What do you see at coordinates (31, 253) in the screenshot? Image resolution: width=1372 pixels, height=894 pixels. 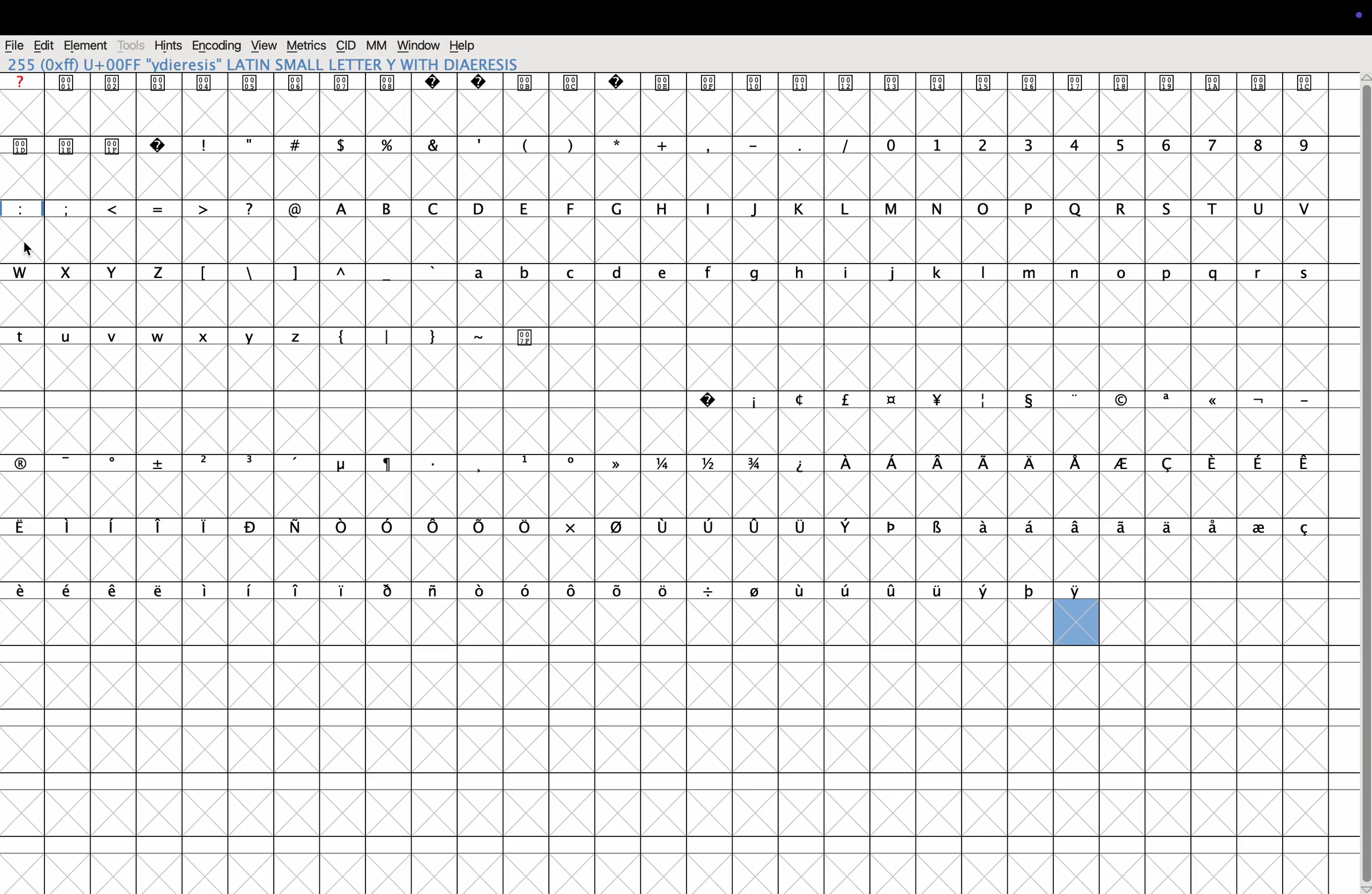 I see `cursor` at bounding box center [31, 253].